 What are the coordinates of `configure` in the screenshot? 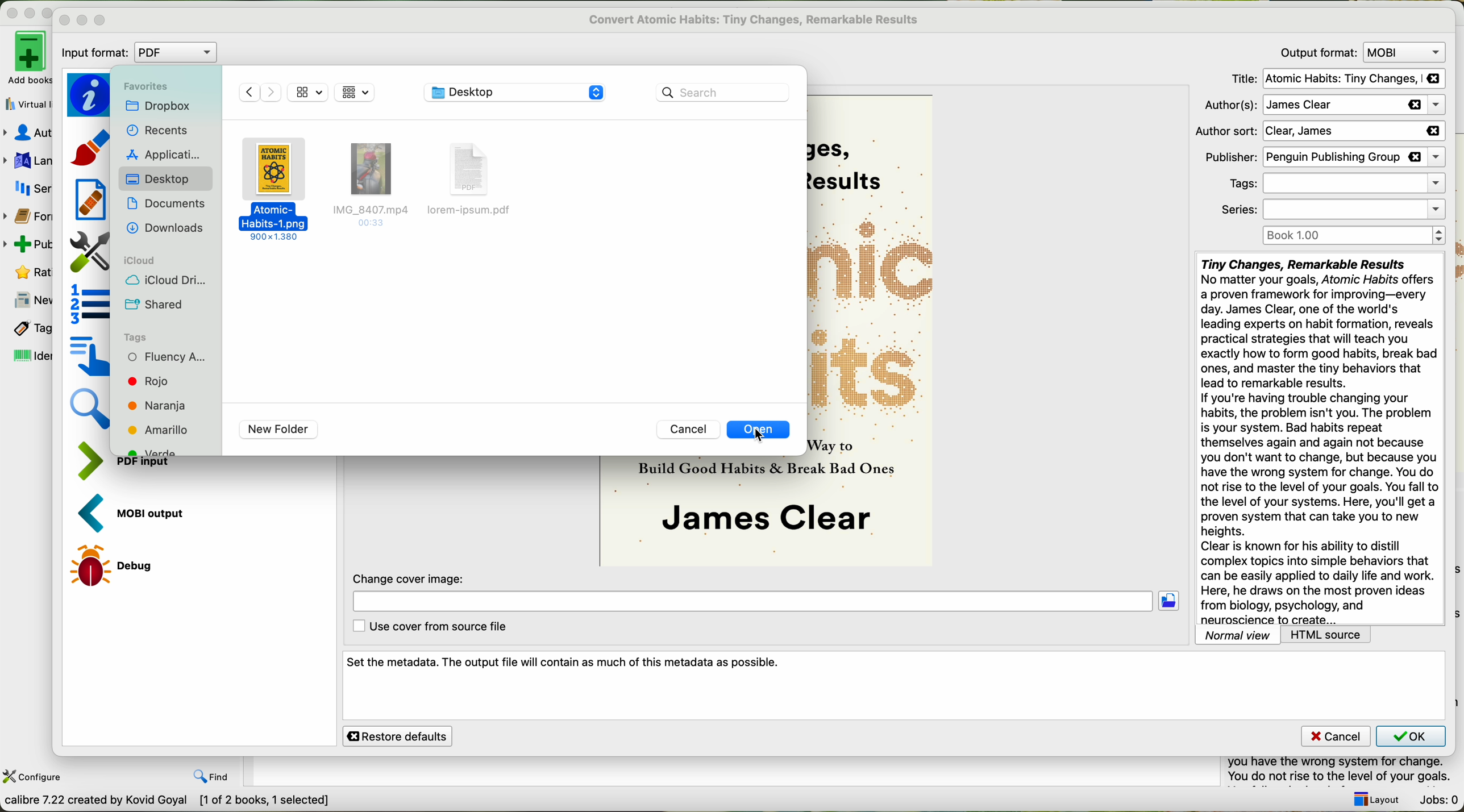 It's located at (34, 777).